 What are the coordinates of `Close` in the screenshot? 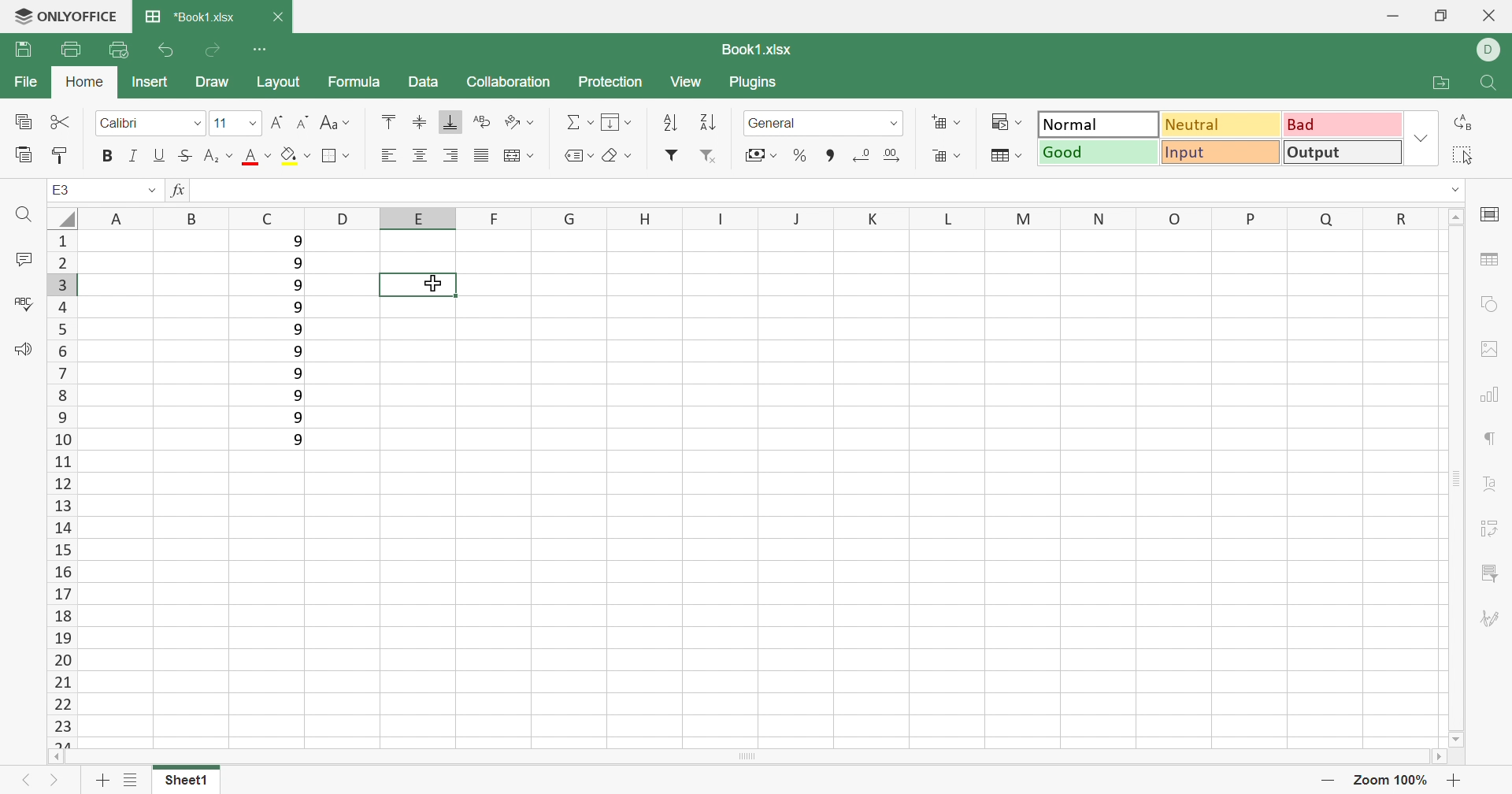 It's located at (1491, 15).